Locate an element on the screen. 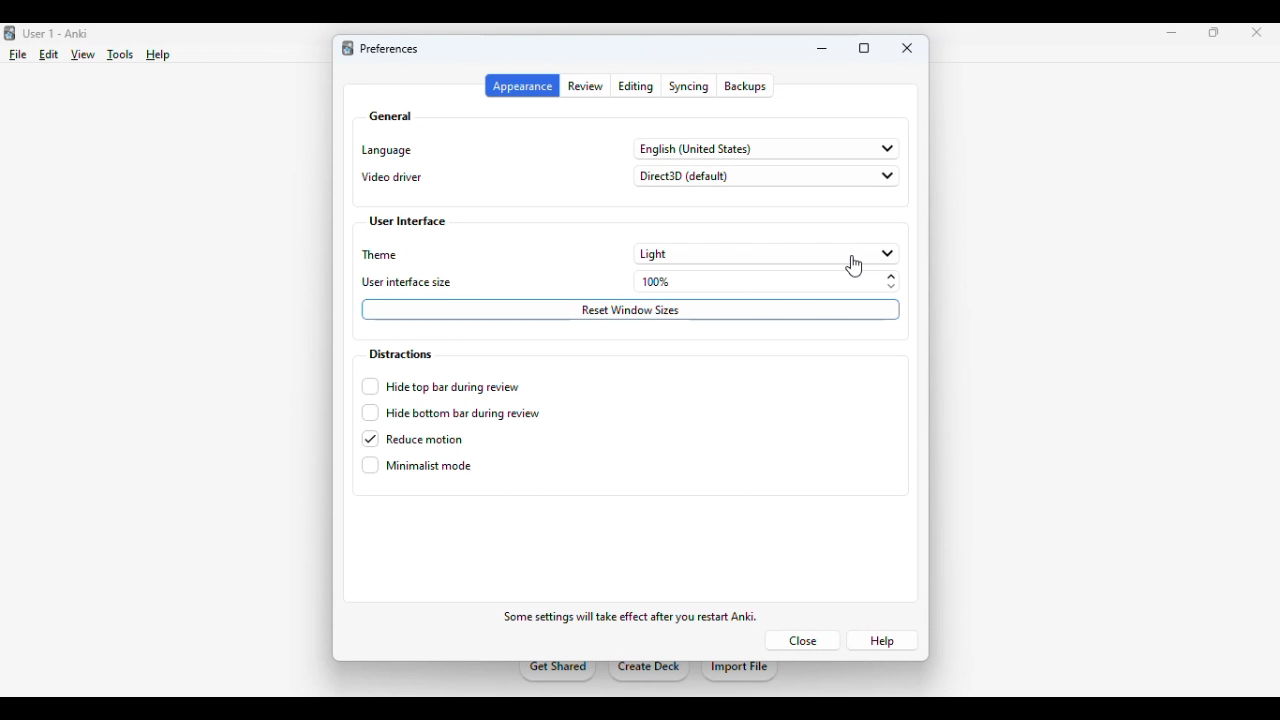  edit is located at coordinates (49, 54).